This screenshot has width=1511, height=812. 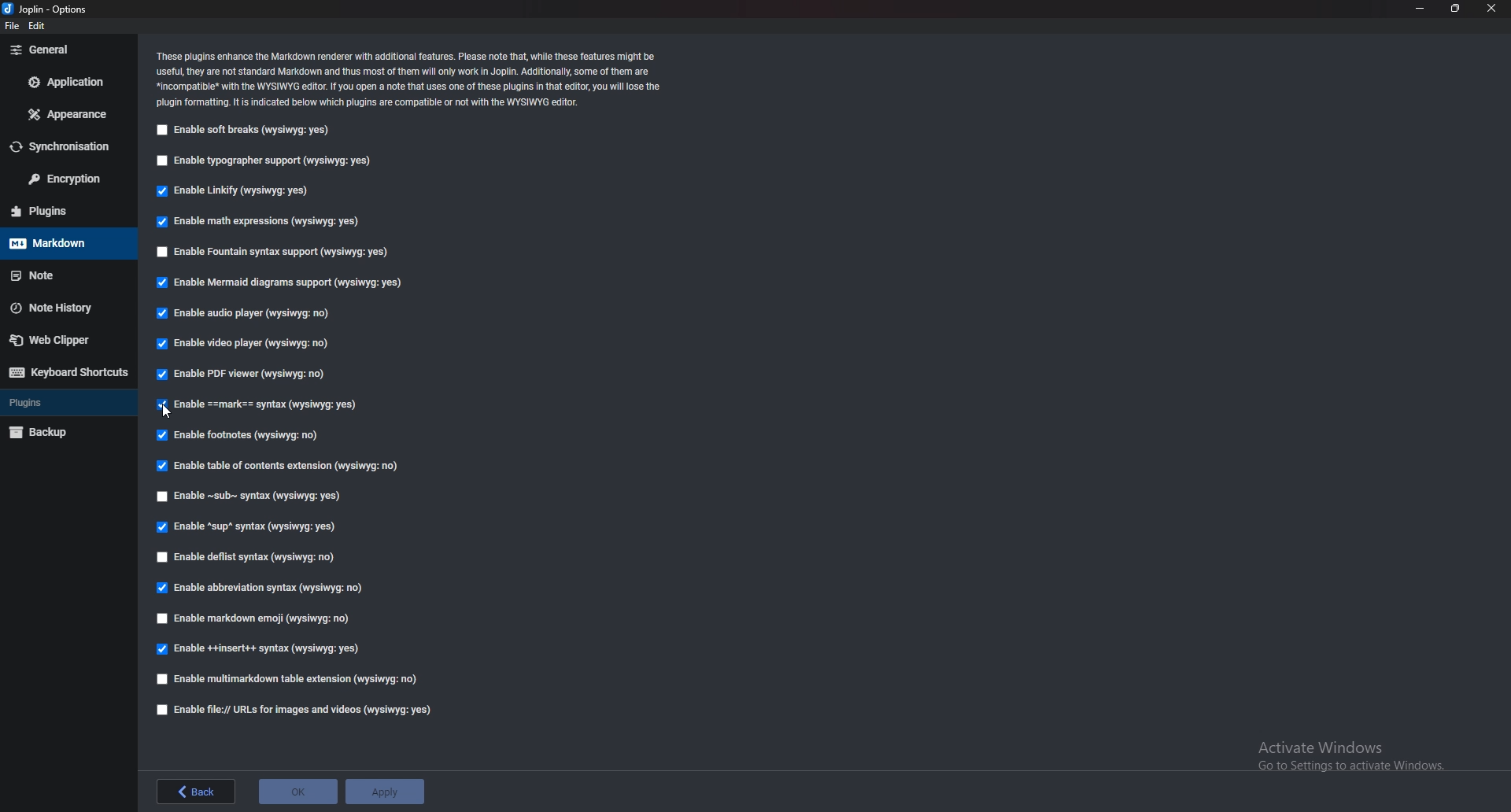 What do you see at coordinates (289, 709) in the screenshot?
I see `Enable file urls for images and videos` at bounding box center [289, 709].